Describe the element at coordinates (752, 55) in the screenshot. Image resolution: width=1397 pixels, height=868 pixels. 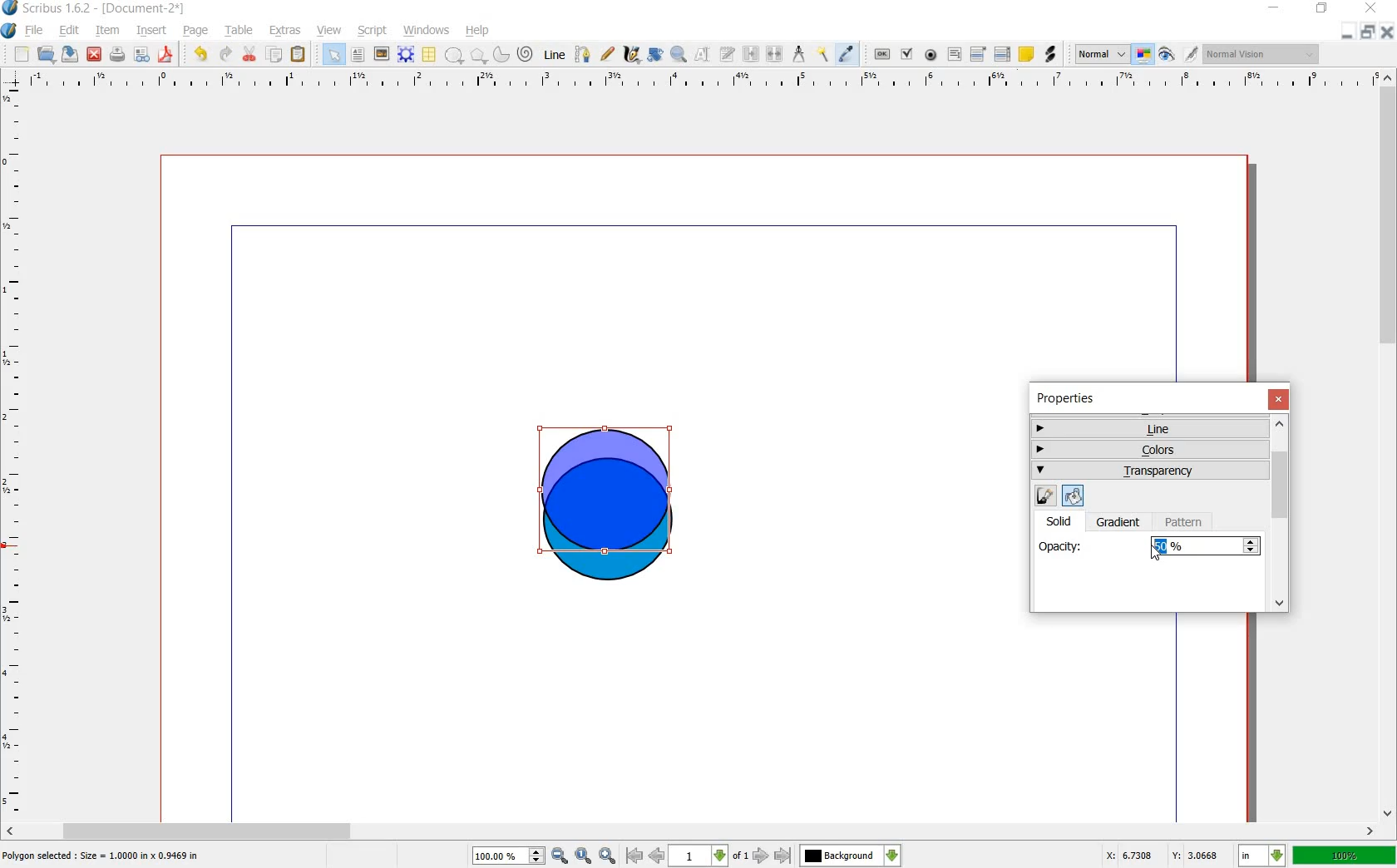
I see `link text frames` at that location.